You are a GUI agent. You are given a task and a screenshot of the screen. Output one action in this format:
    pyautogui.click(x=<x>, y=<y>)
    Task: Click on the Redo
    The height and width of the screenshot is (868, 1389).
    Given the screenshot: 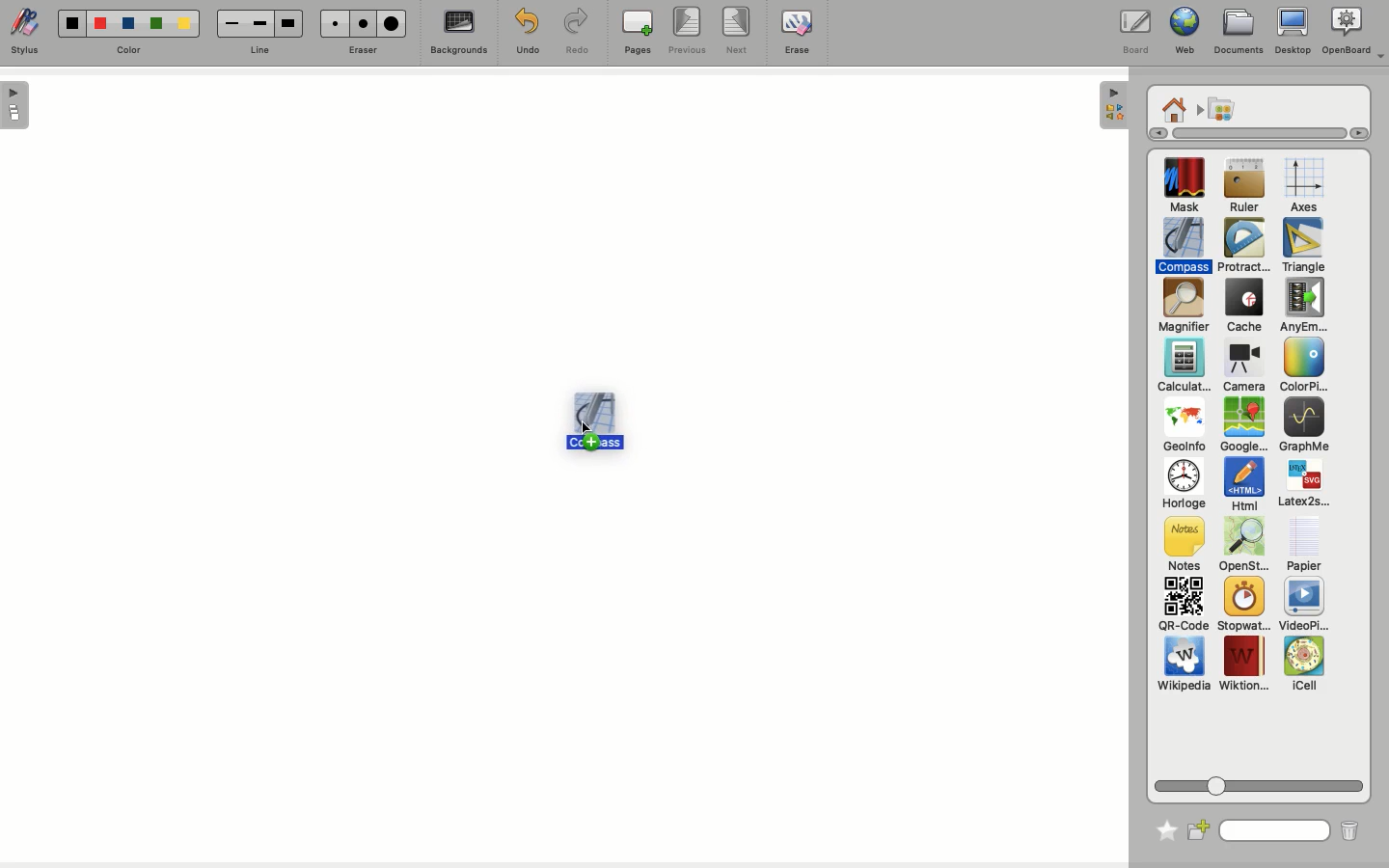 What is the action you would take?
    pyautogui.click(x=578, y=33)
    